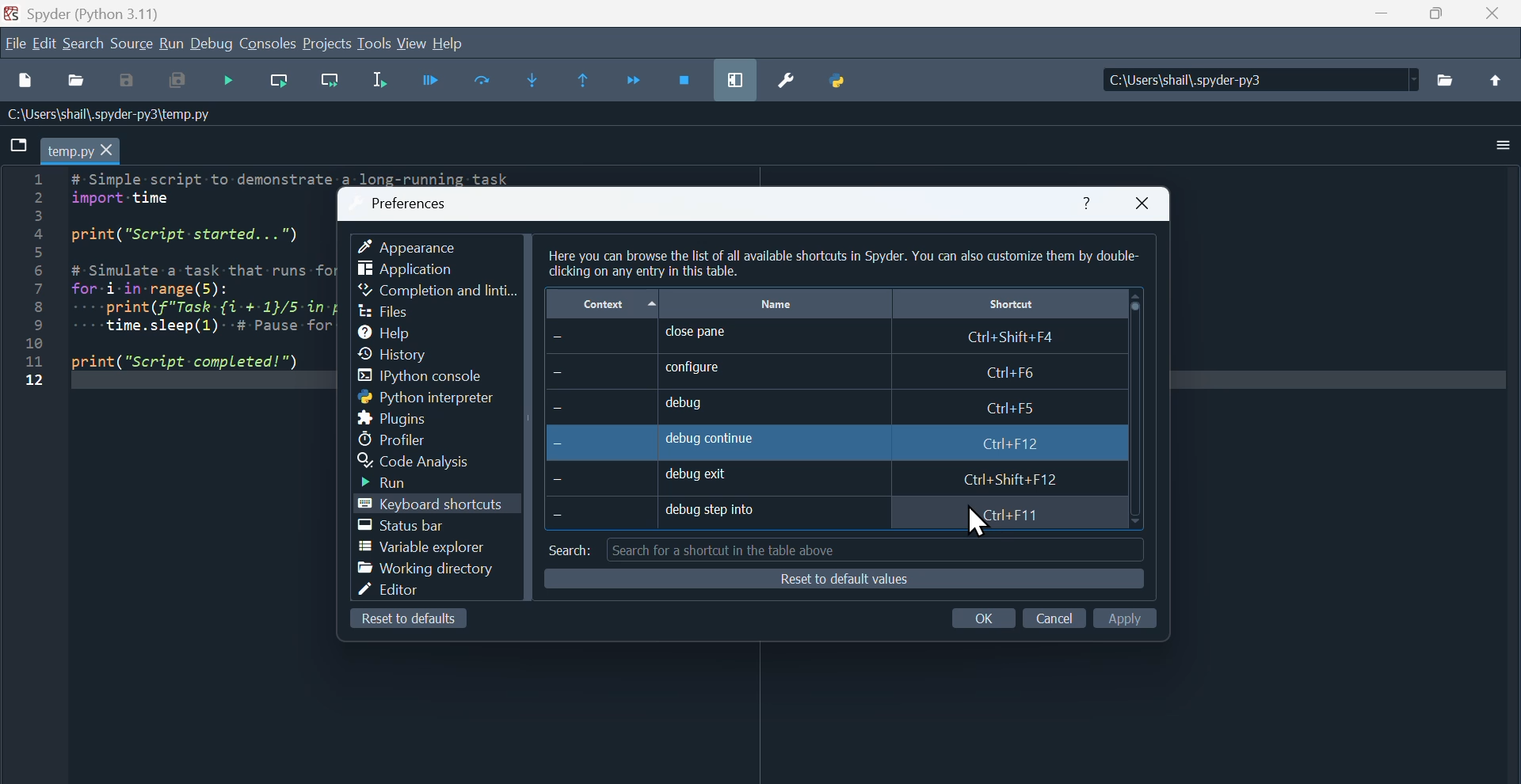 The height and width of the screenshot is (784, 1521). What do you see at coordinates (421, 243) in the screenshot?
I see `Appearance` at bounding box center [421, 243].